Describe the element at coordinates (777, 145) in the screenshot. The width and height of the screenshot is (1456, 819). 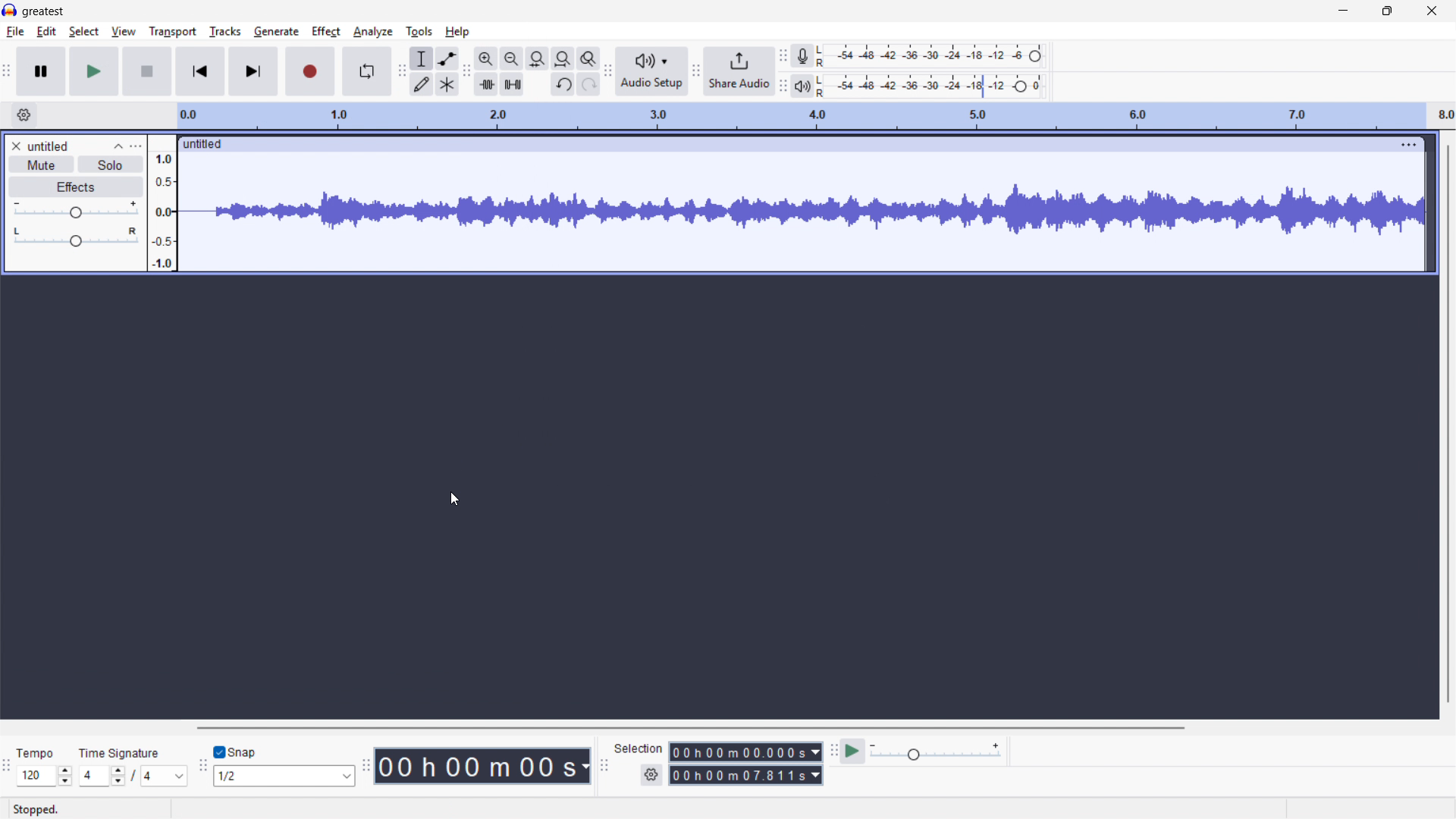
I see `click to drag` at that location.